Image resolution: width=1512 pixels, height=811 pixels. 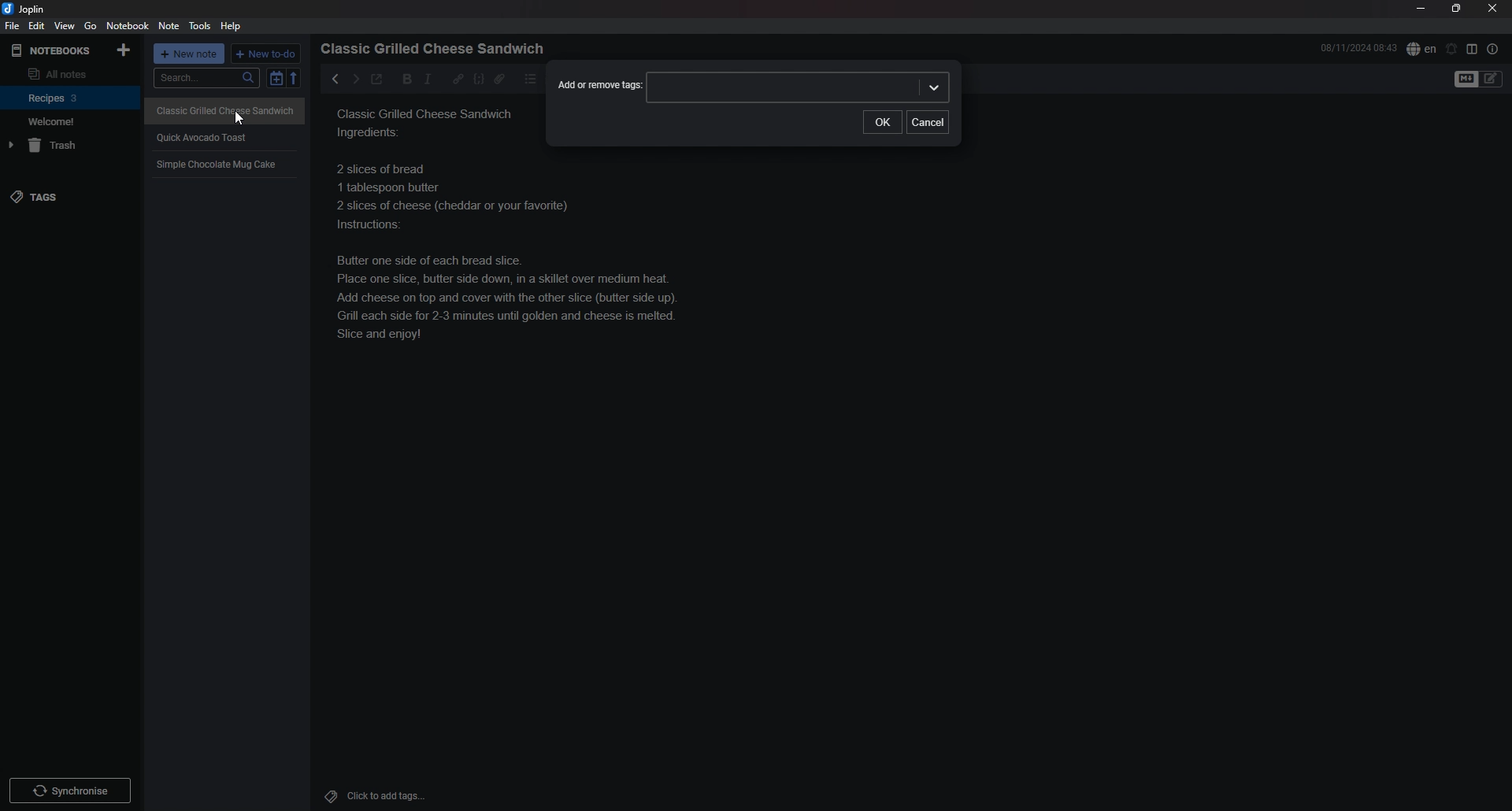 What do you see at coordinates (200, 25) in the screenshot?
I see `tools` at bounding box center [200, 25].